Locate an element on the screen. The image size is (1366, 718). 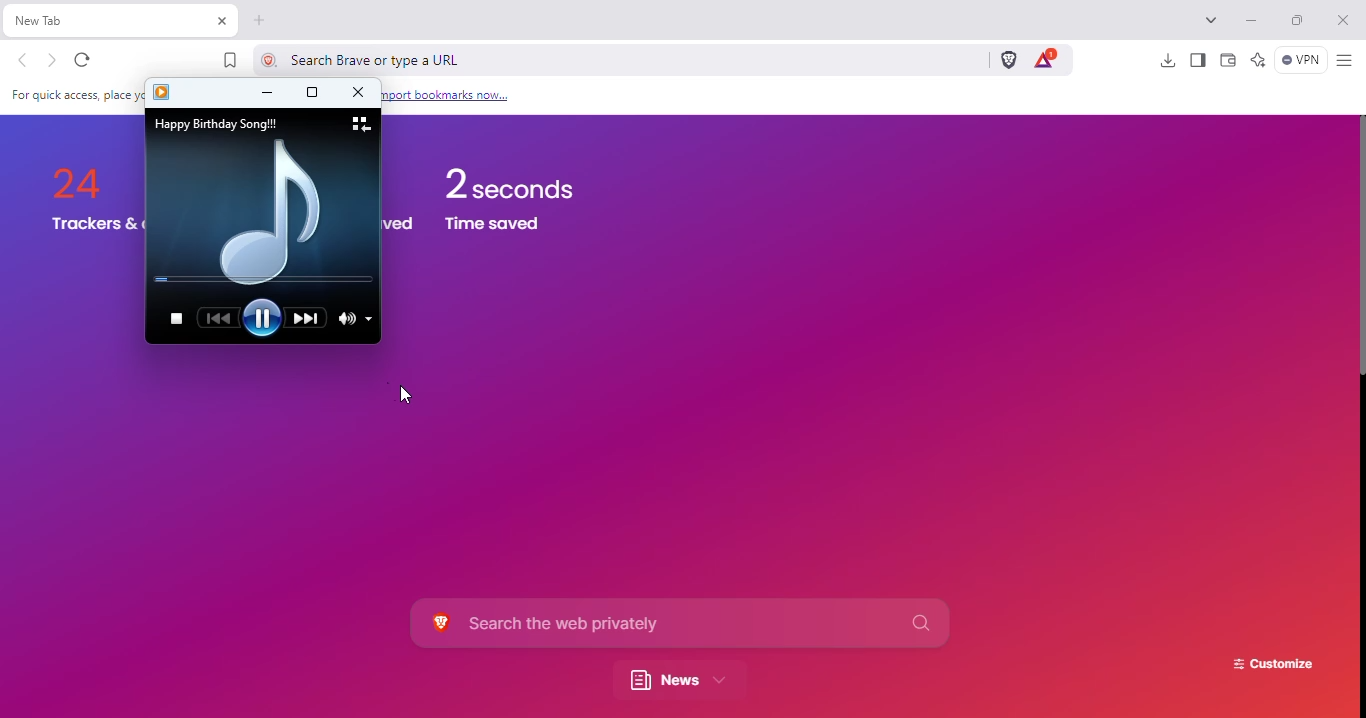
Link is located at coordinates (448, 95).